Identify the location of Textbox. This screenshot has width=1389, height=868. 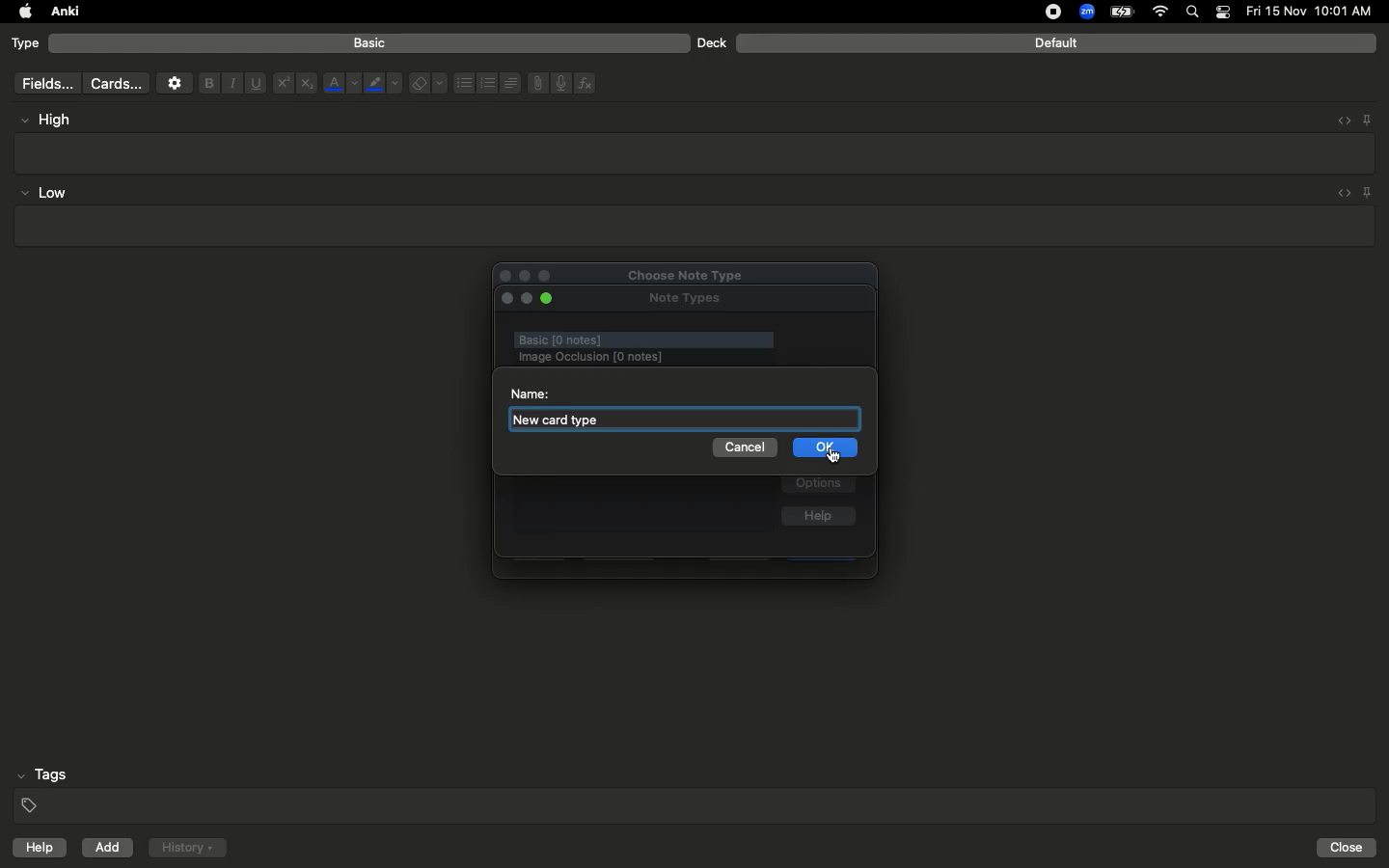
(696, 152).